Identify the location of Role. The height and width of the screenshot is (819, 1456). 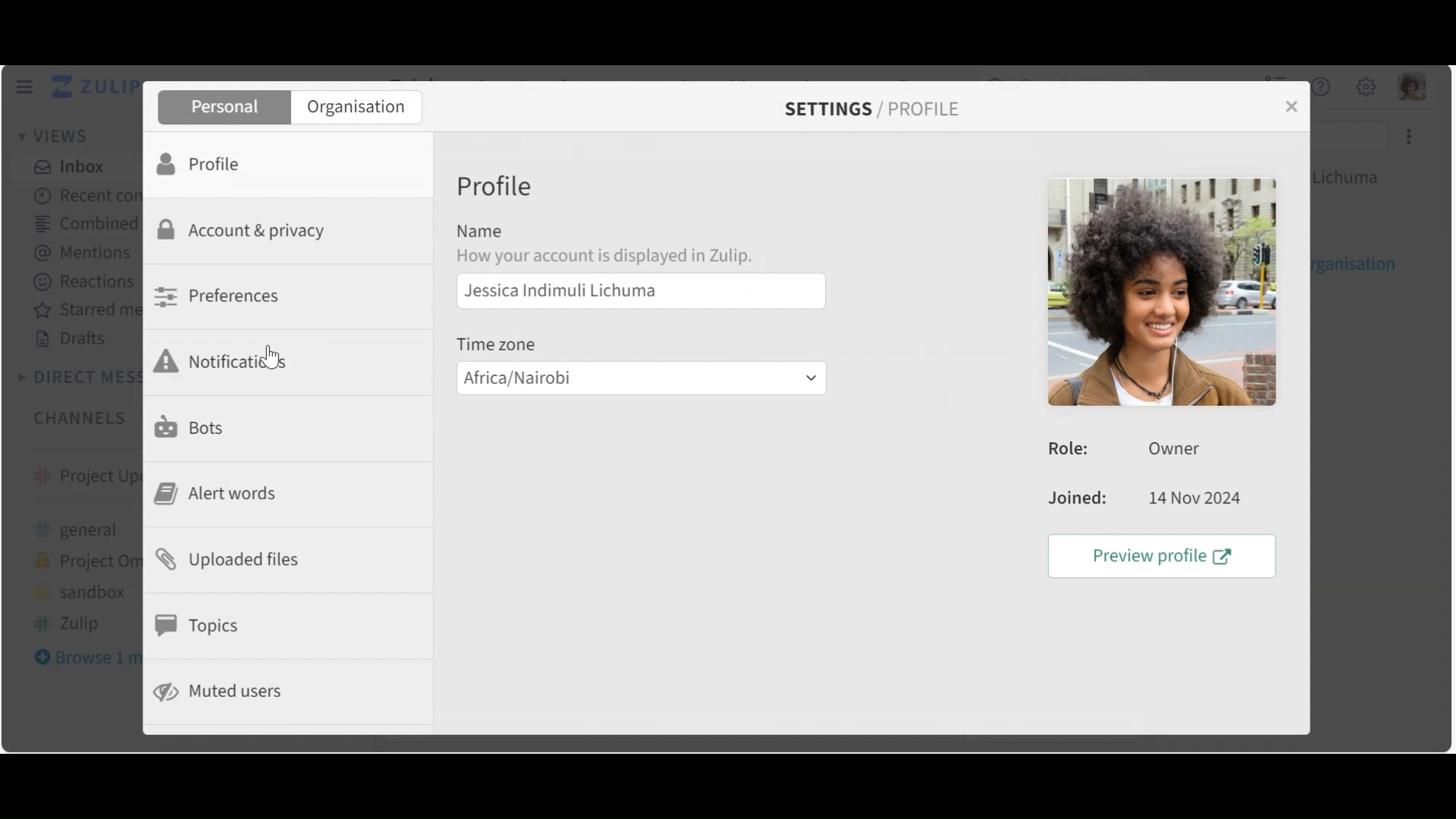
(1131, 449).